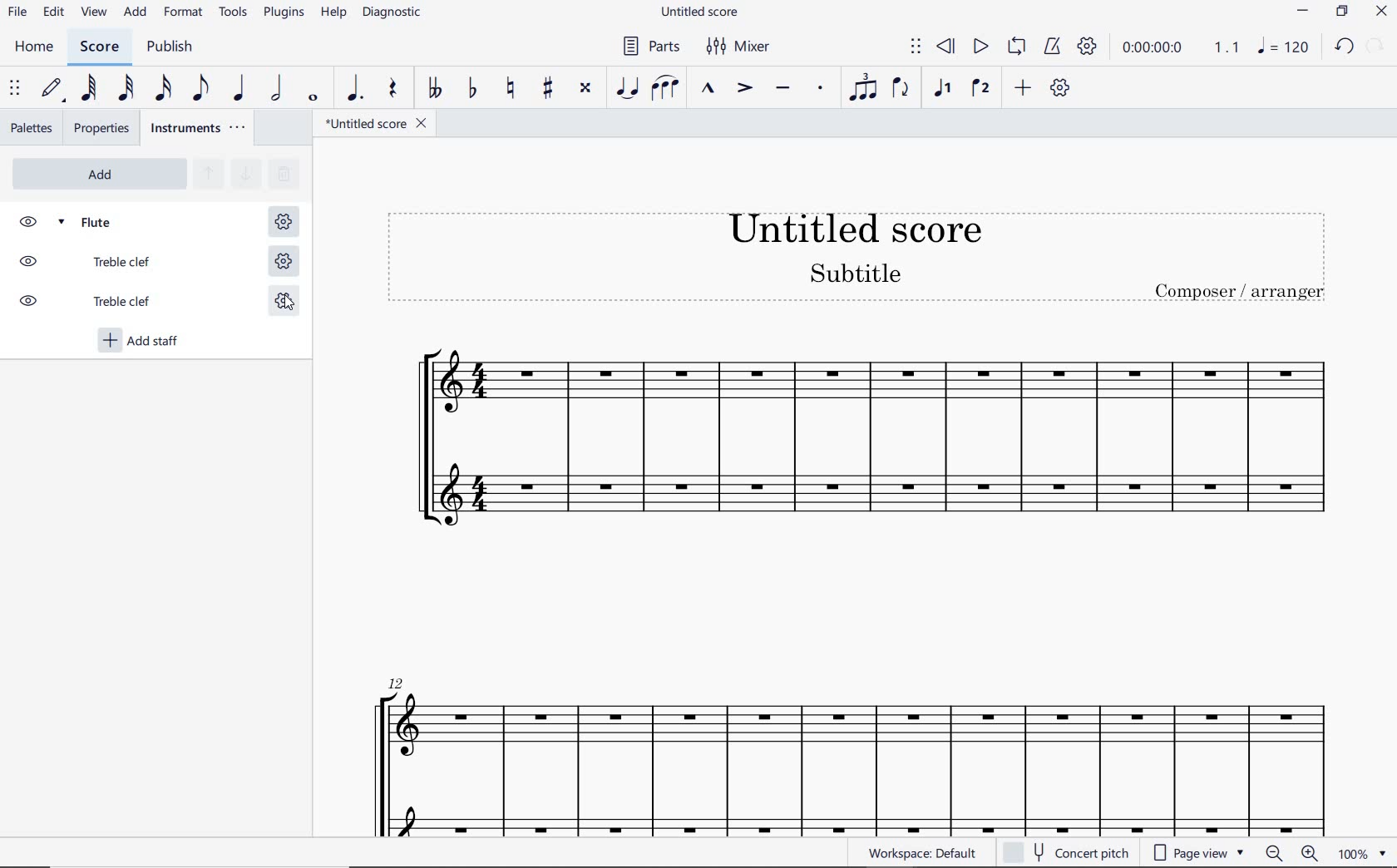  I want to click on REWIND, so click(946, 47).